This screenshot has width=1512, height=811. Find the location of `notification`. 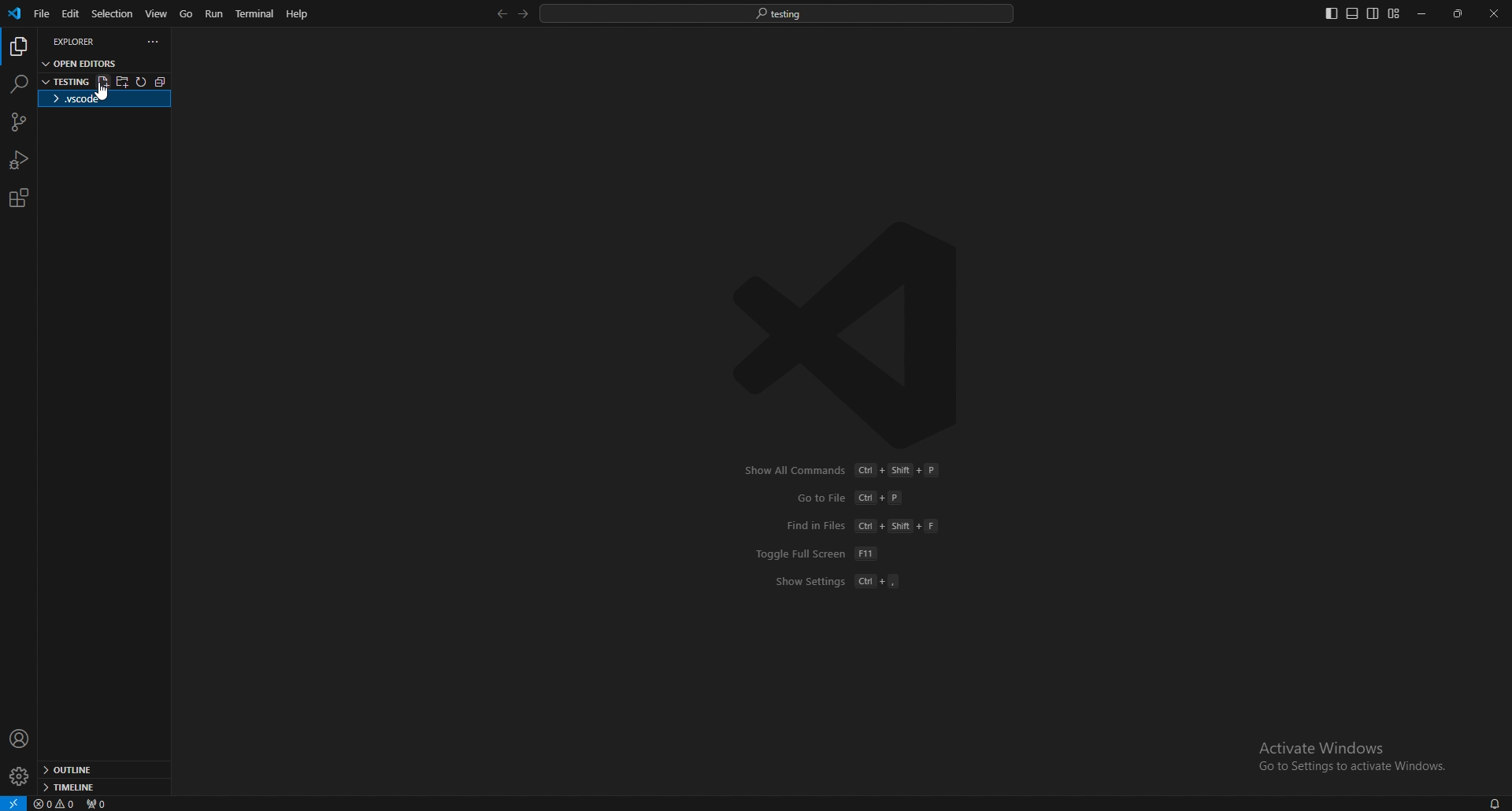

notification is located at coordinates (1493, 803).